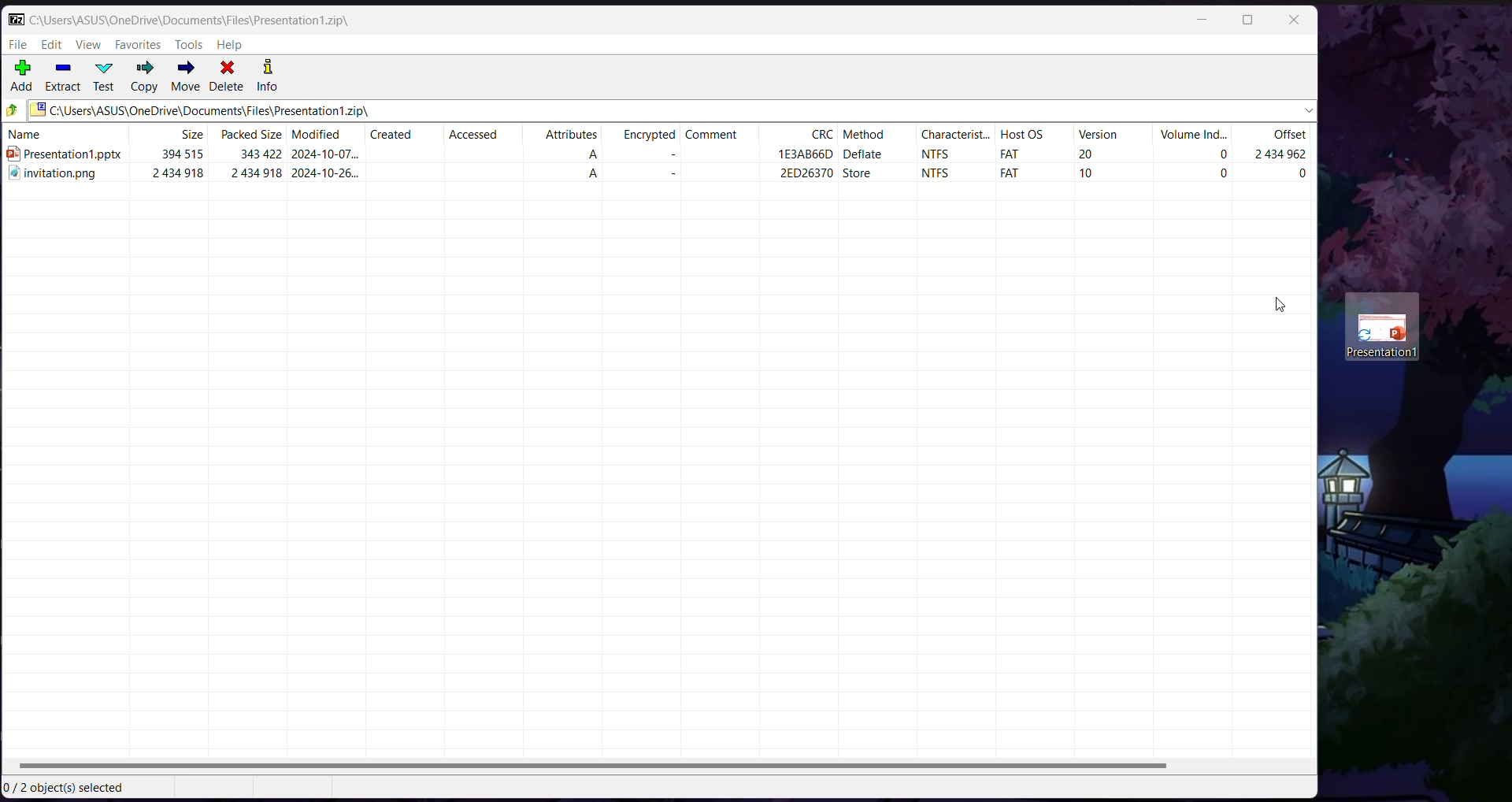 The image size is (1512, 802). I want to click on Version, so click(1099, 136).